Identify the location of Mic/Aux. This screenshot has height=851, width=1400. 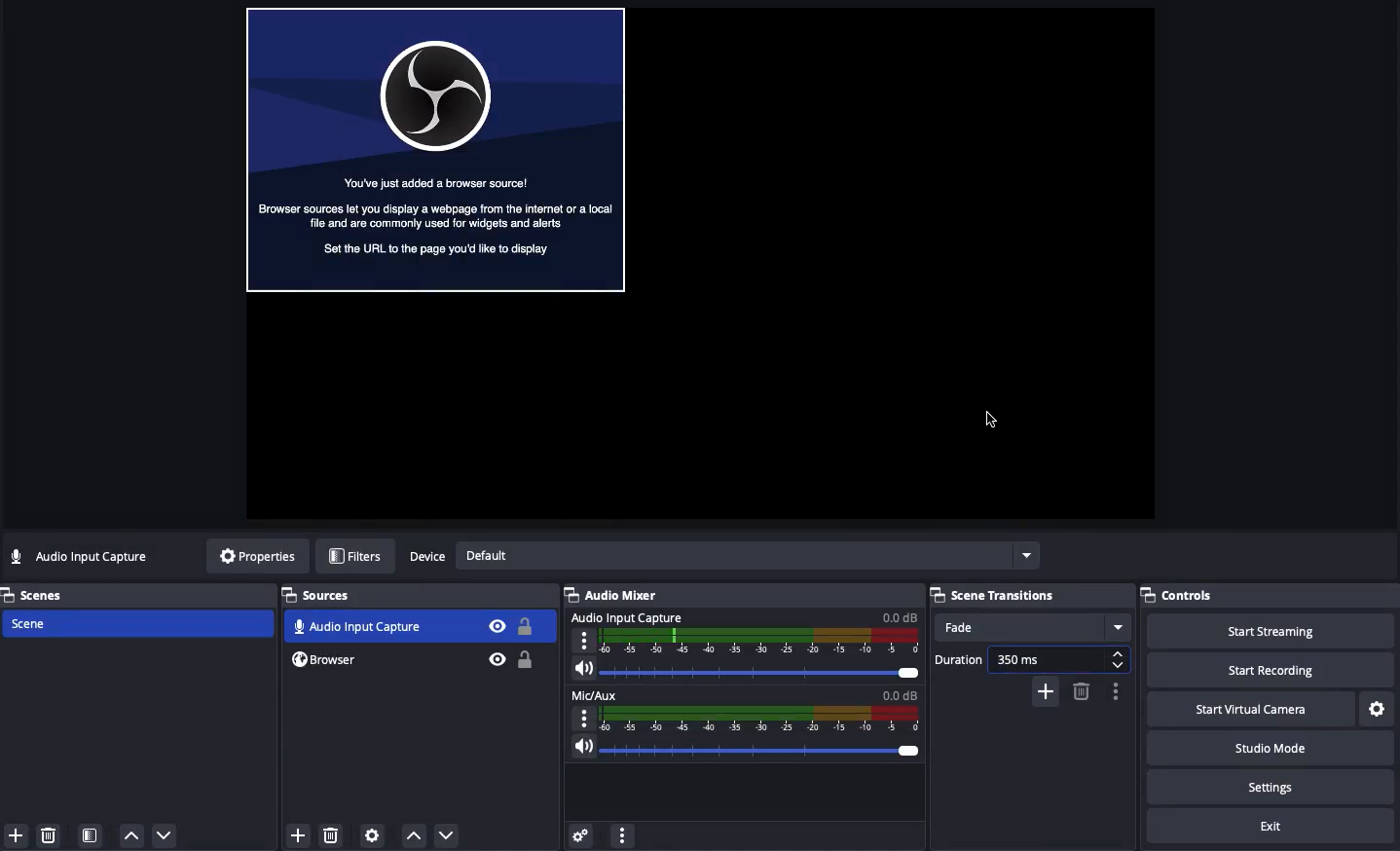
(746, 721).